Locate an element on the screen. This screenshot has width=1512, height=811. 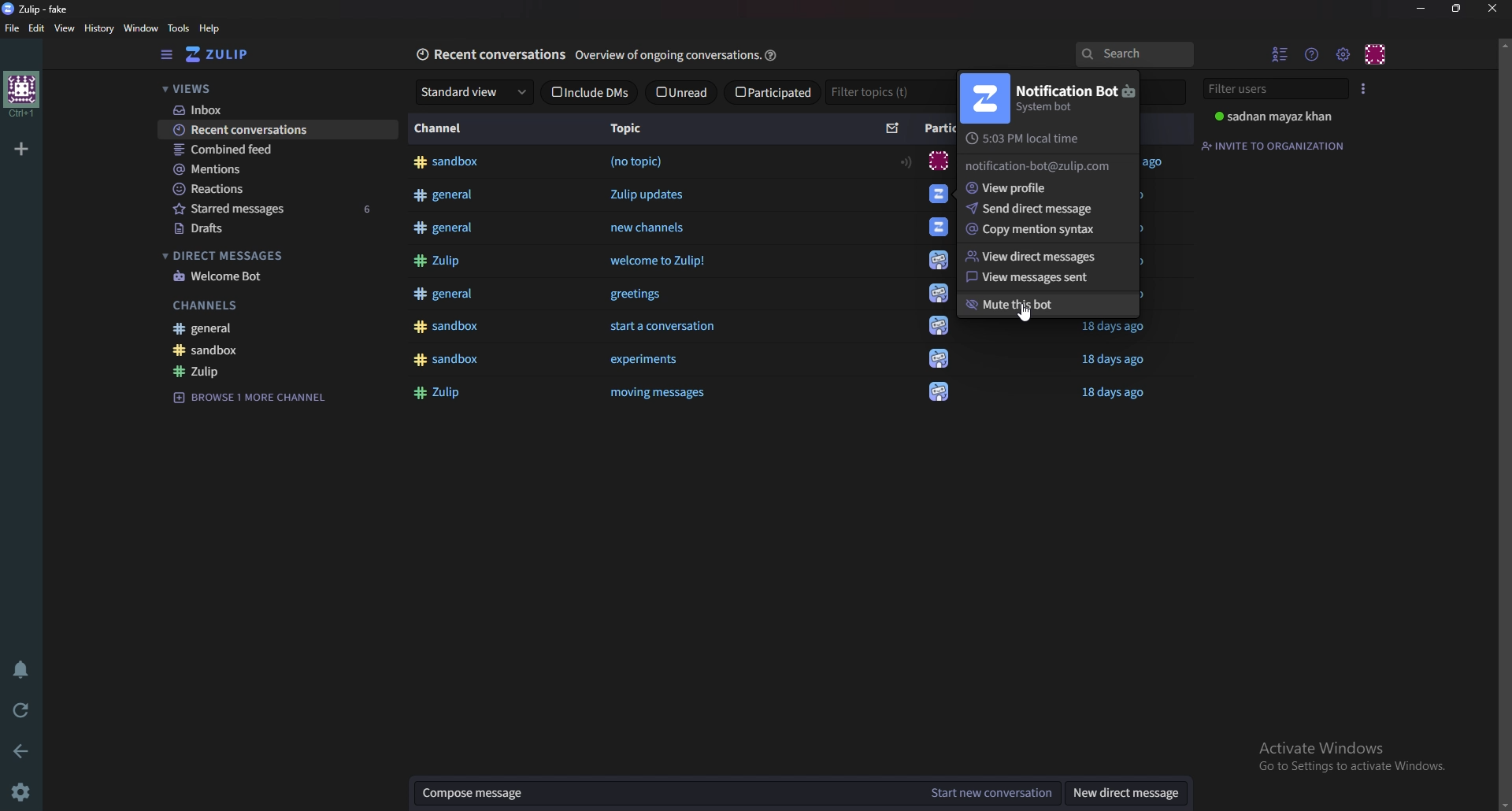
Notification bot photo is located at coordinates (984, 99).